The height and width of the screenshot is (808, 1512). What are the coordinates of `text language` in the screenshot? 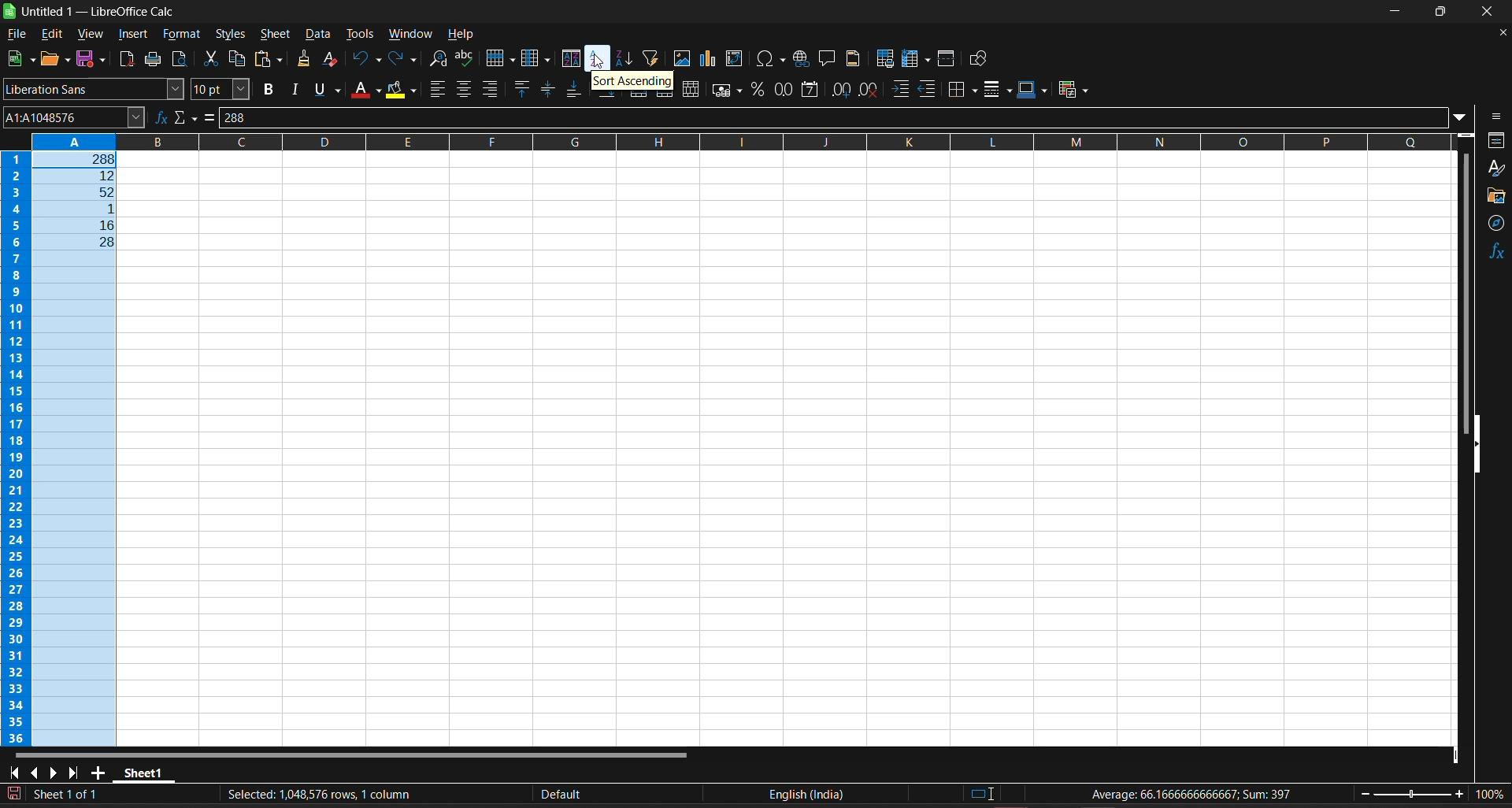 It's located at (807, 793).